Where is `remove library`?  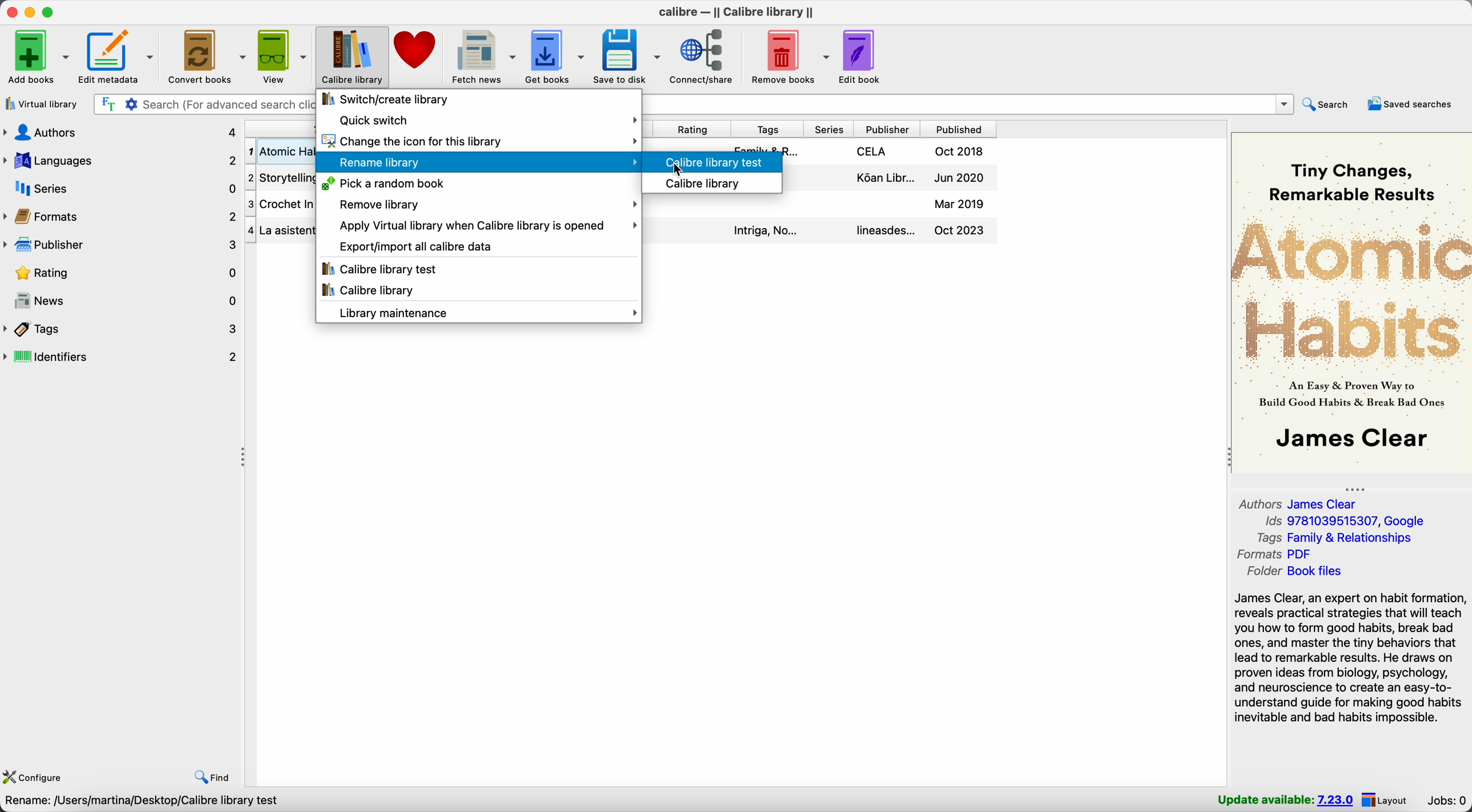 remove library is located at coordinates (485, 203).